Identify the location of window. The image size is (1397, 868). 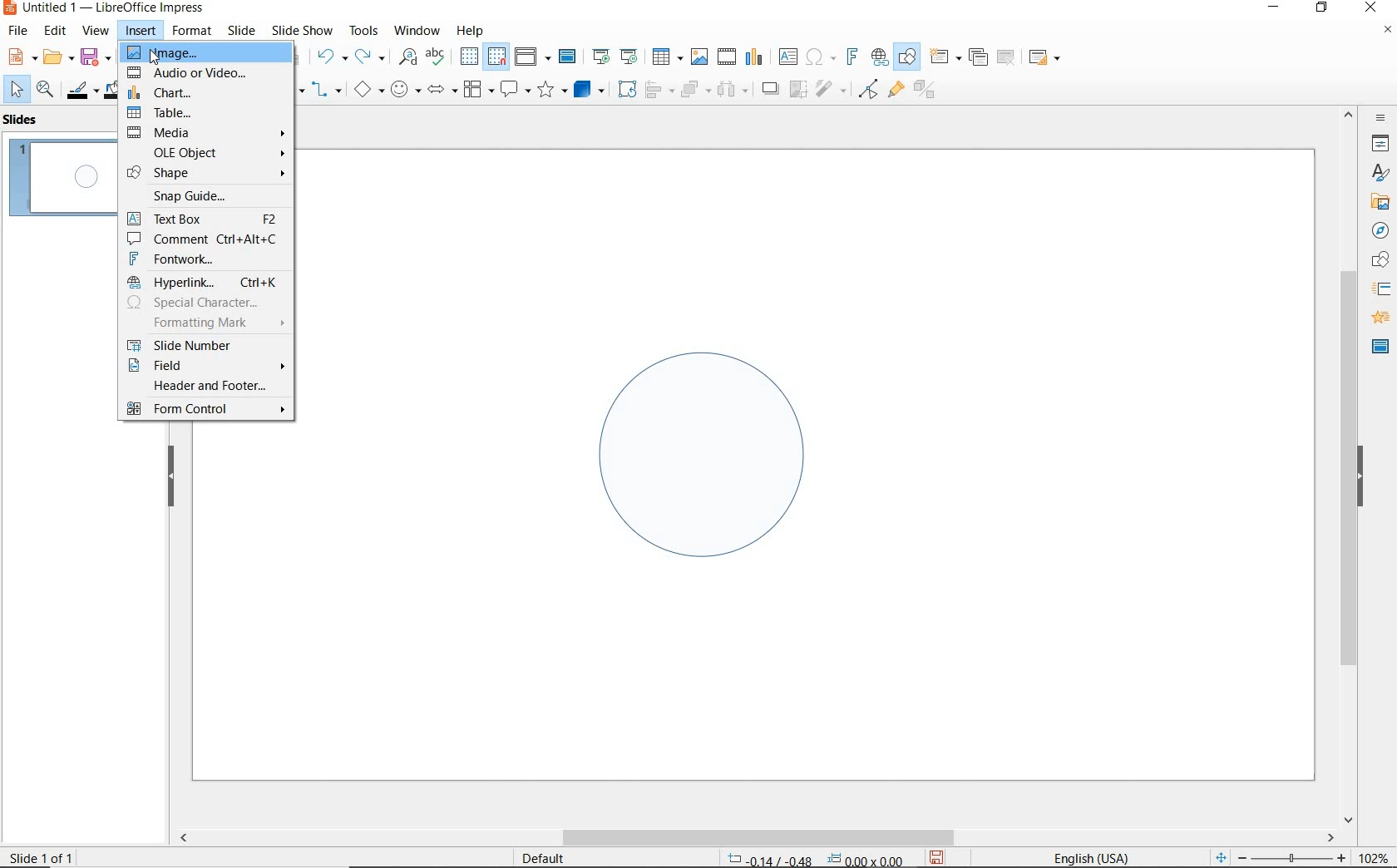
(417, 29).